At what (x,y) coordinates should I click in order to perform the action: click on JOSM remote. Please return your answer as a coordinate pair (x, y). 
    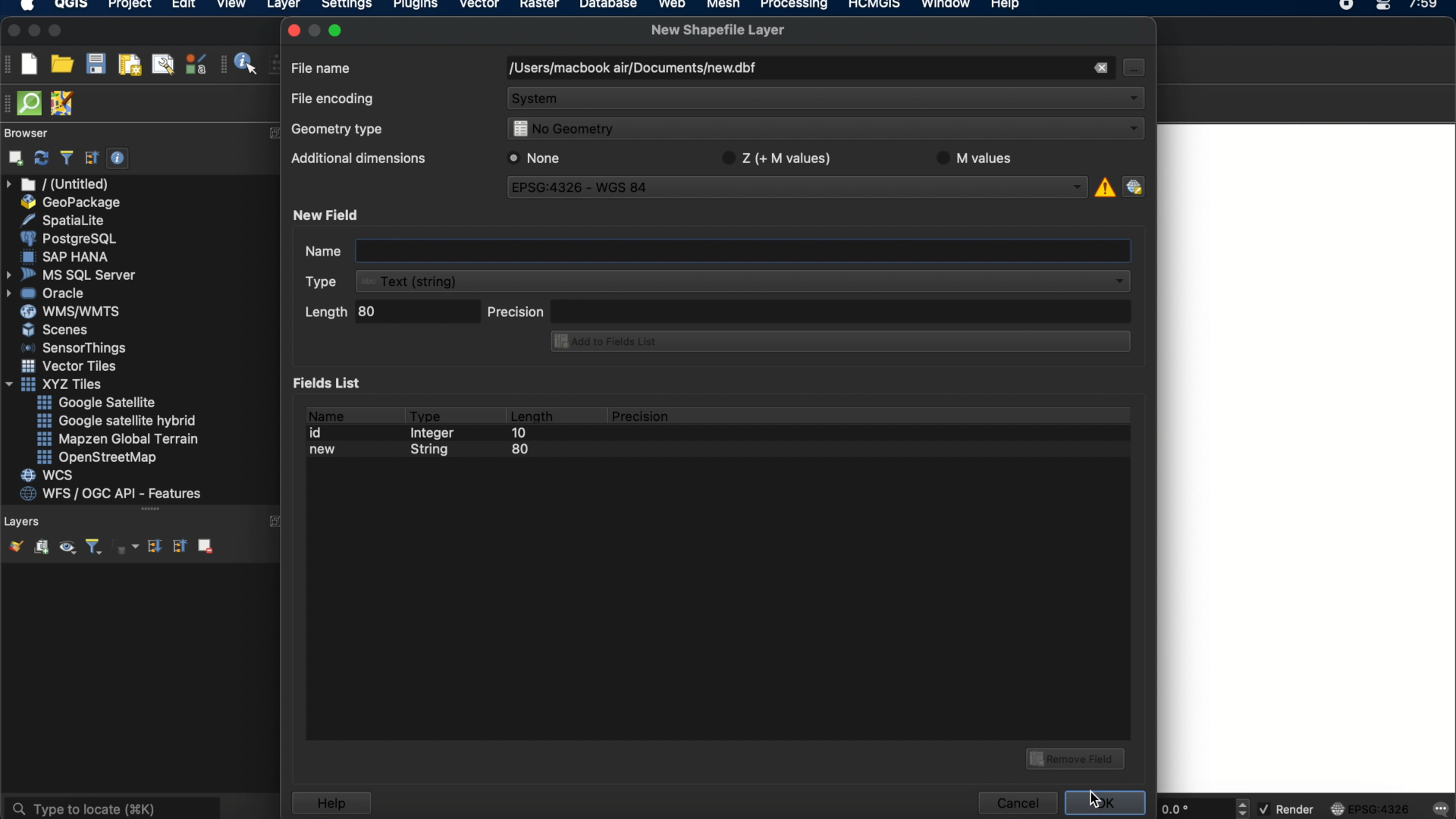
    Looking at the image, I should click on (64, 104).